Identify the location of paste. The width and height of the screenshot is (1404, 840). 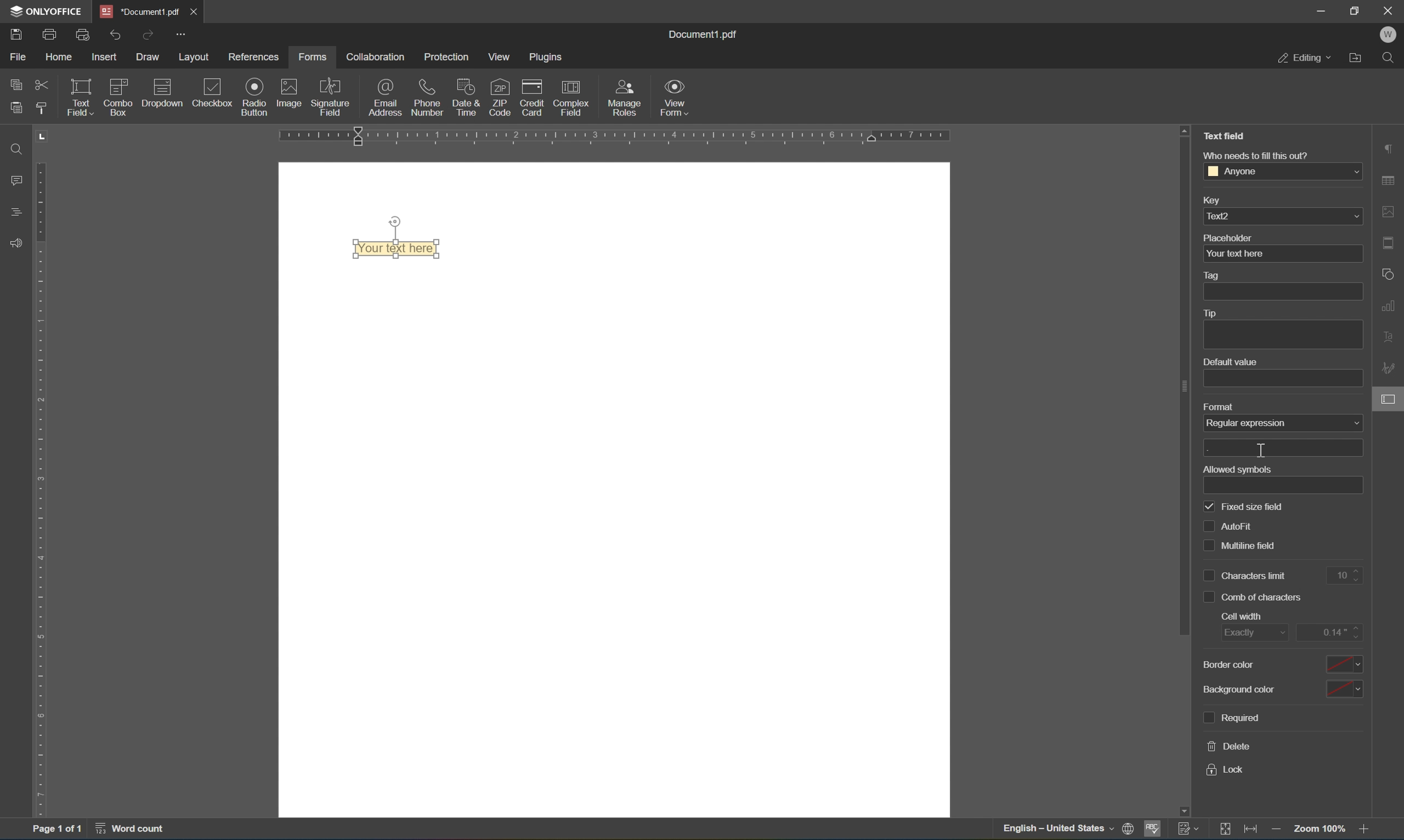
(19, 108).